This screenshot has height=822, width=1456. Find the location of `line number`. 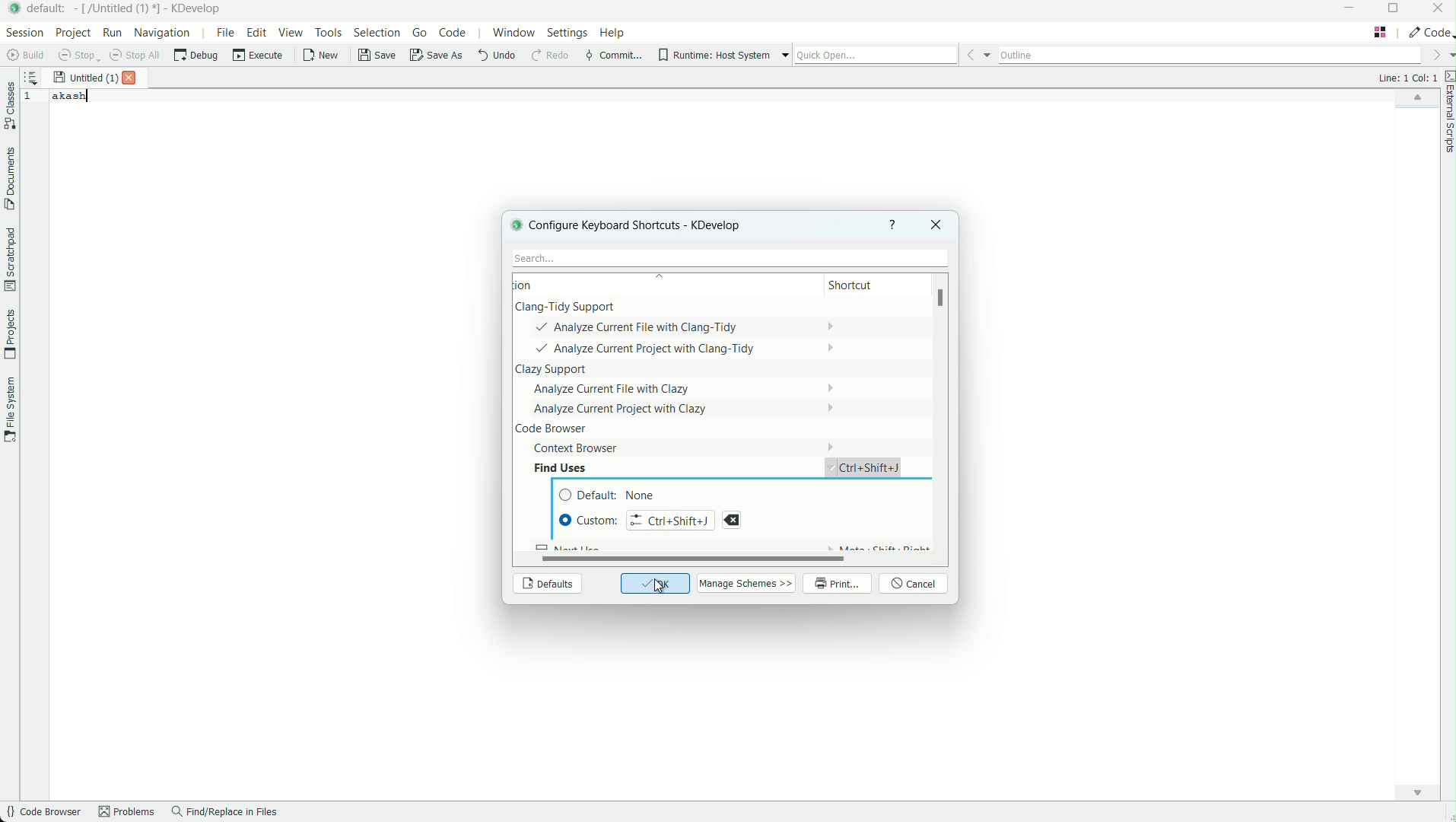

line number is located at coordinates (31, 97).